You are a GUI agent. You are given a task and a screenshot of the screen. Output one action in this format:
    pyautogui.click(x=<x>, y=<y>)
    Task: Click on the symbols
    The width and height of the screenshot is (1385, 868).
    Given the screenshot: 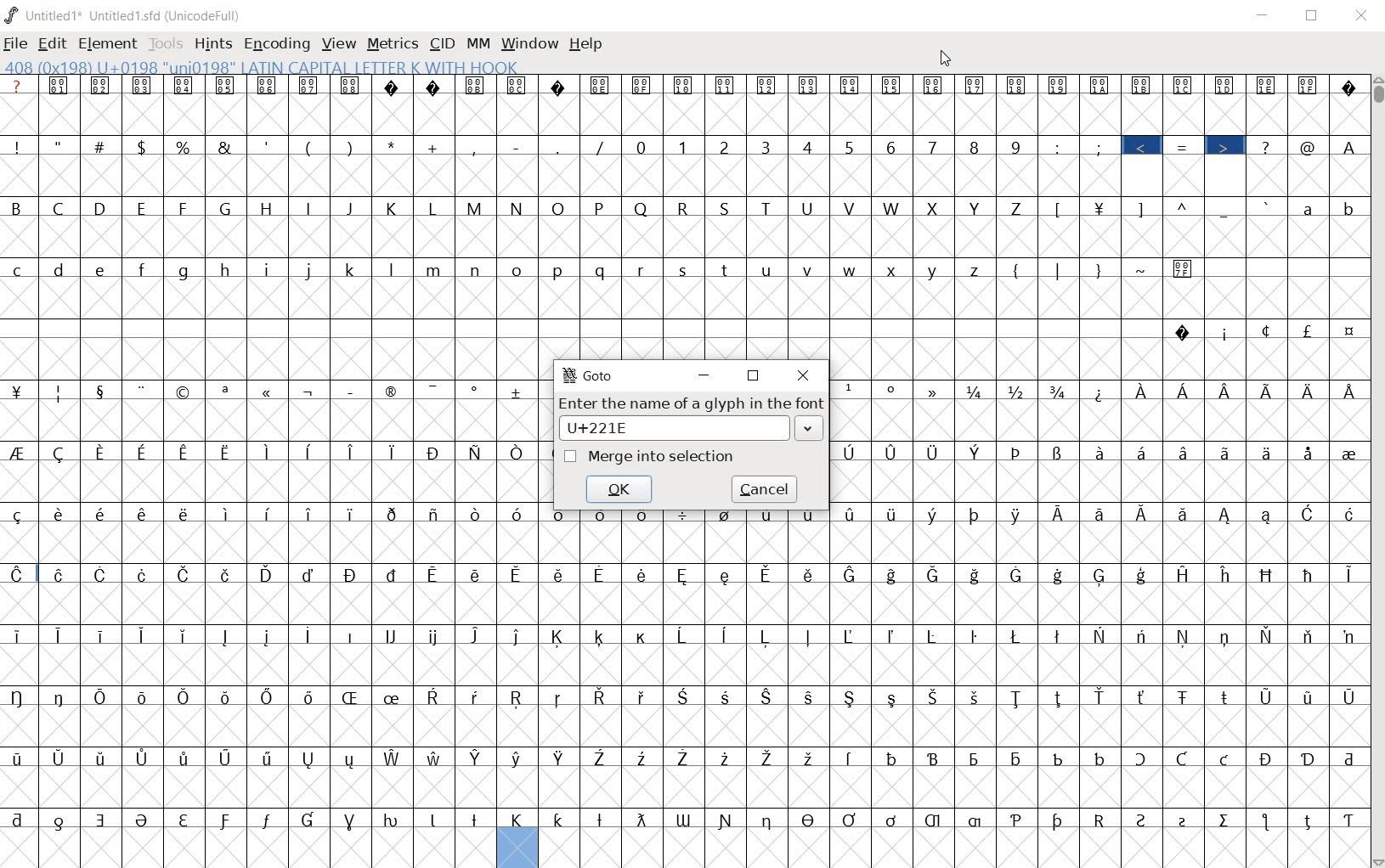 What is the action you would take?
    pyautogui.click(x=1292, y=144)
    